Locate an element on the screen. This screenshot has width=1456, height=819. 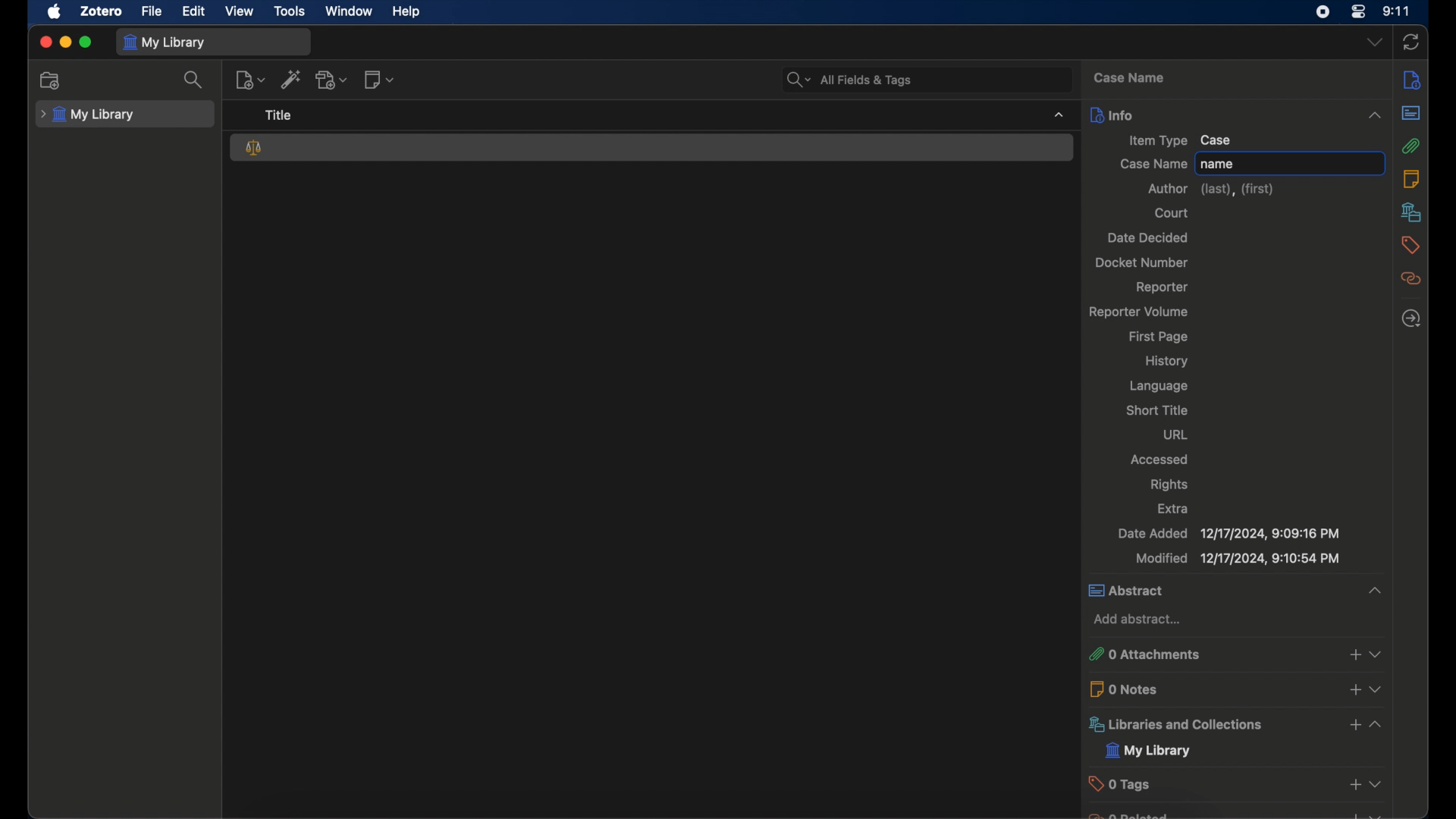
short title is located at coordinates (1157, 409).